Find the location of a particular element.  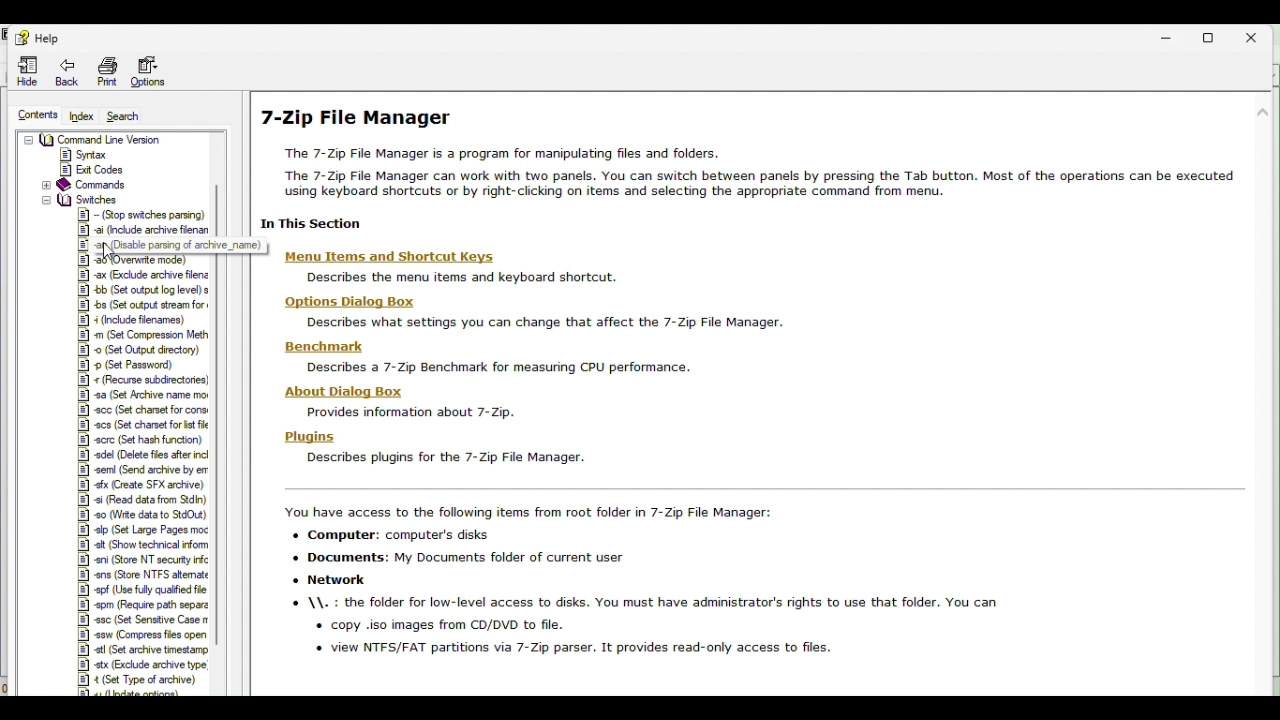

Descnbes the menu items and kevboard shortcut. is located at coordinates (484, 277).